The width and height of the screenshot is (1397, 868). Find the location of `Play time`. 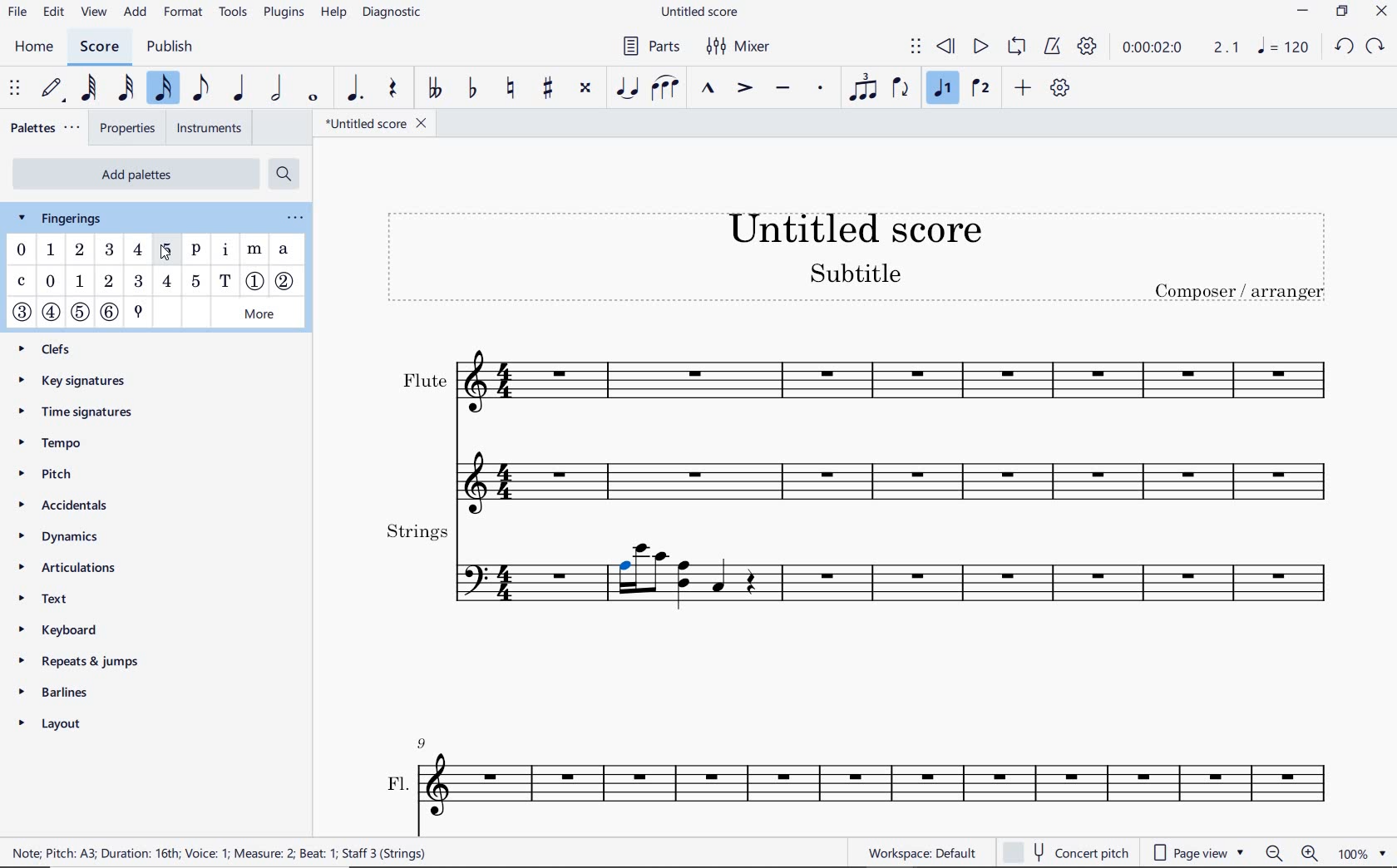

Play time is located at coordinates (1180, 47).